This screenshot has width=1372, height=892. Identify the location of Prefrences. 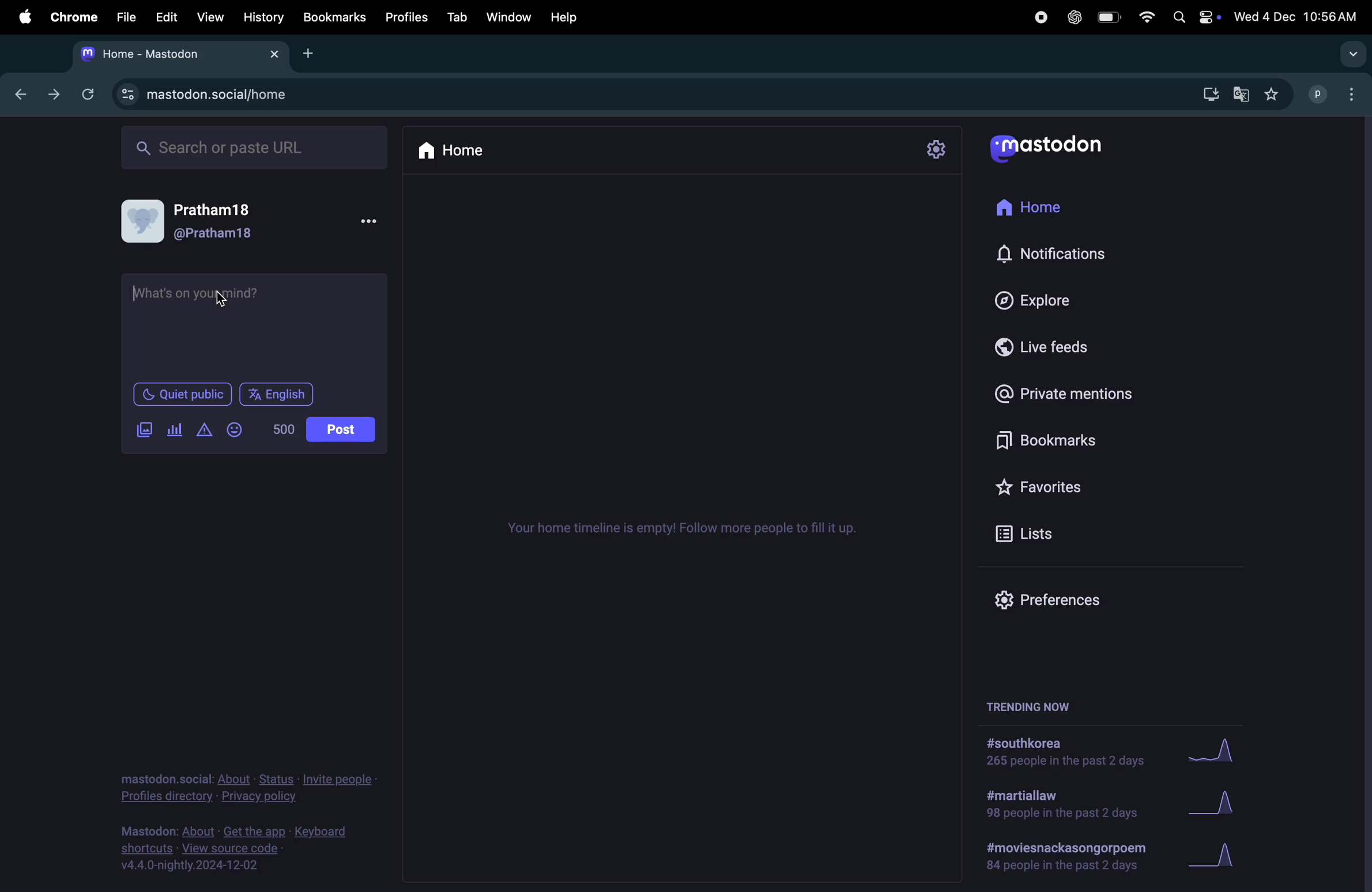
(1058, 599).